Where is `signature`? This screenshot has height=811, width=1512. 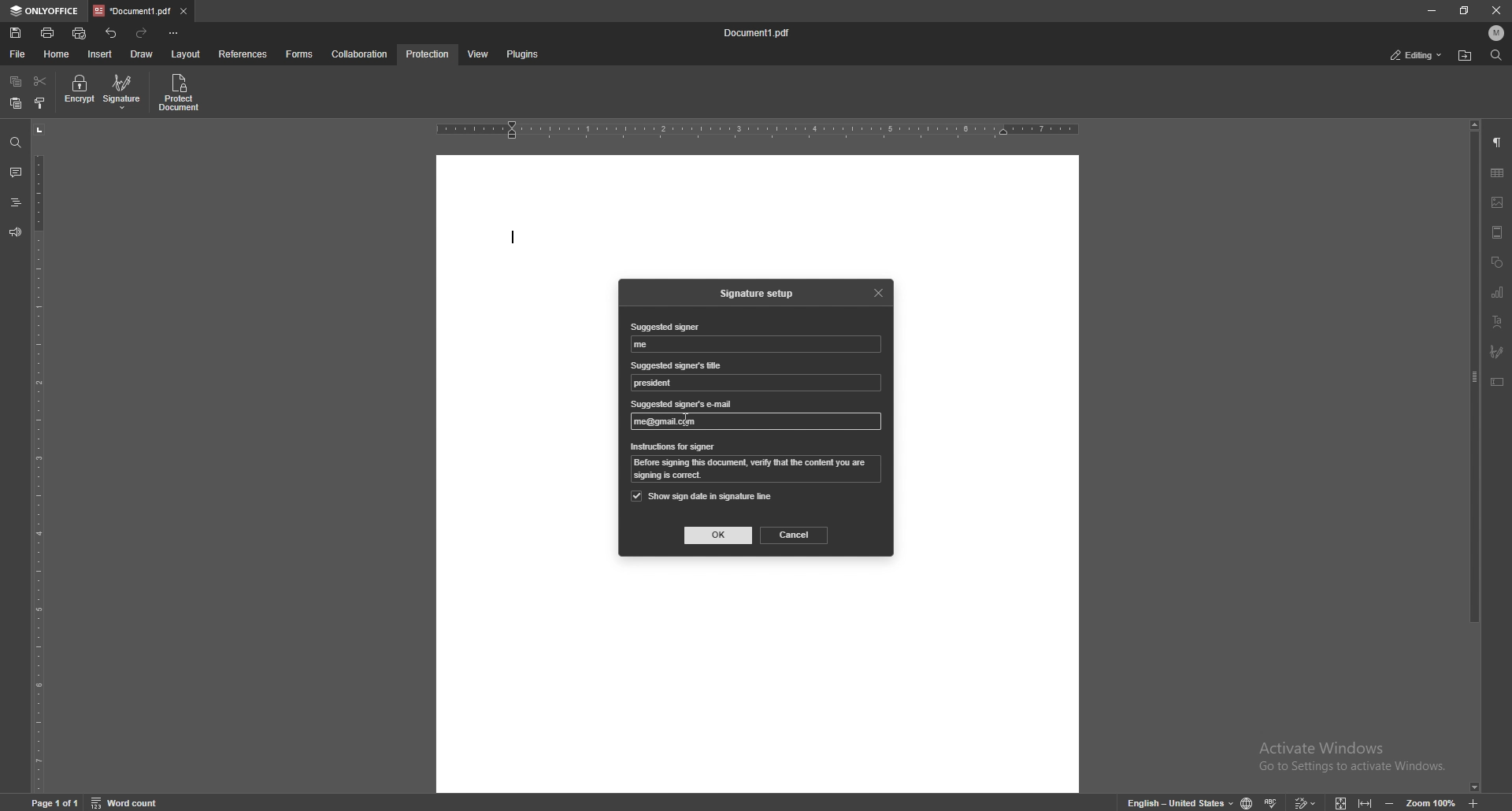 signature is located at coordinates (124, 91).